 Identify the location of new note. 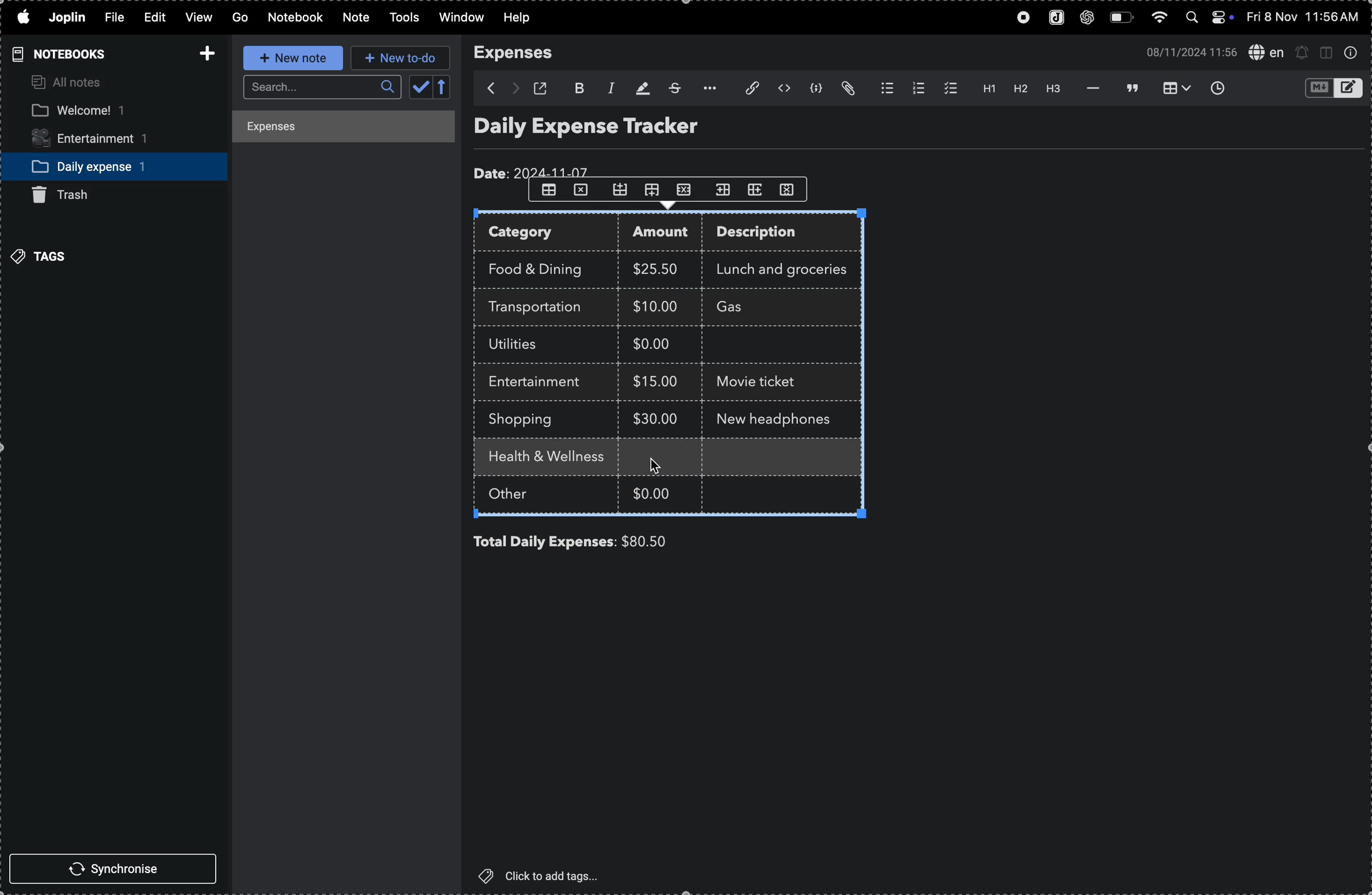
(289, 58).